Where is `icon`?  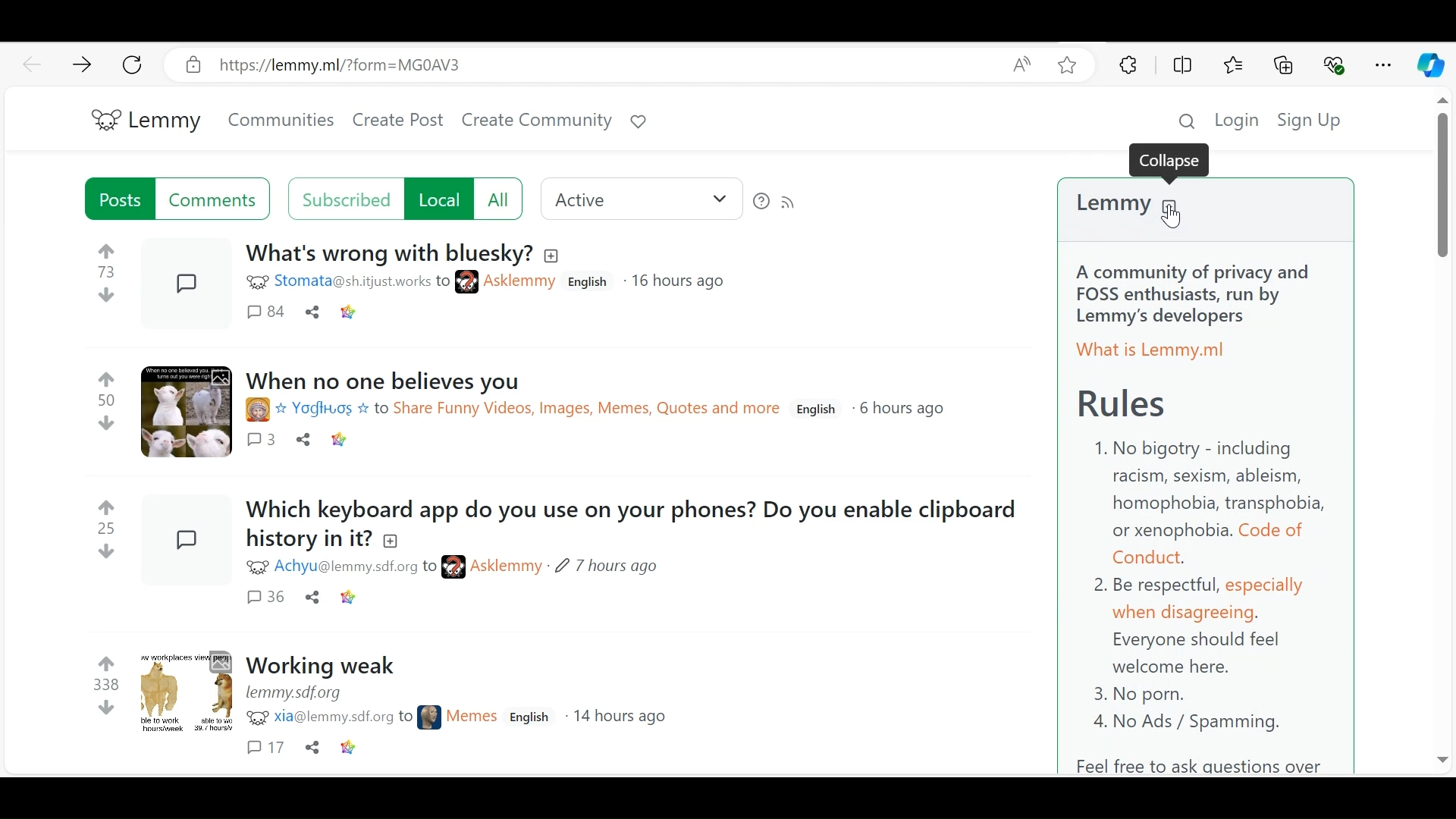 icon is located at coordinates (259, 720).